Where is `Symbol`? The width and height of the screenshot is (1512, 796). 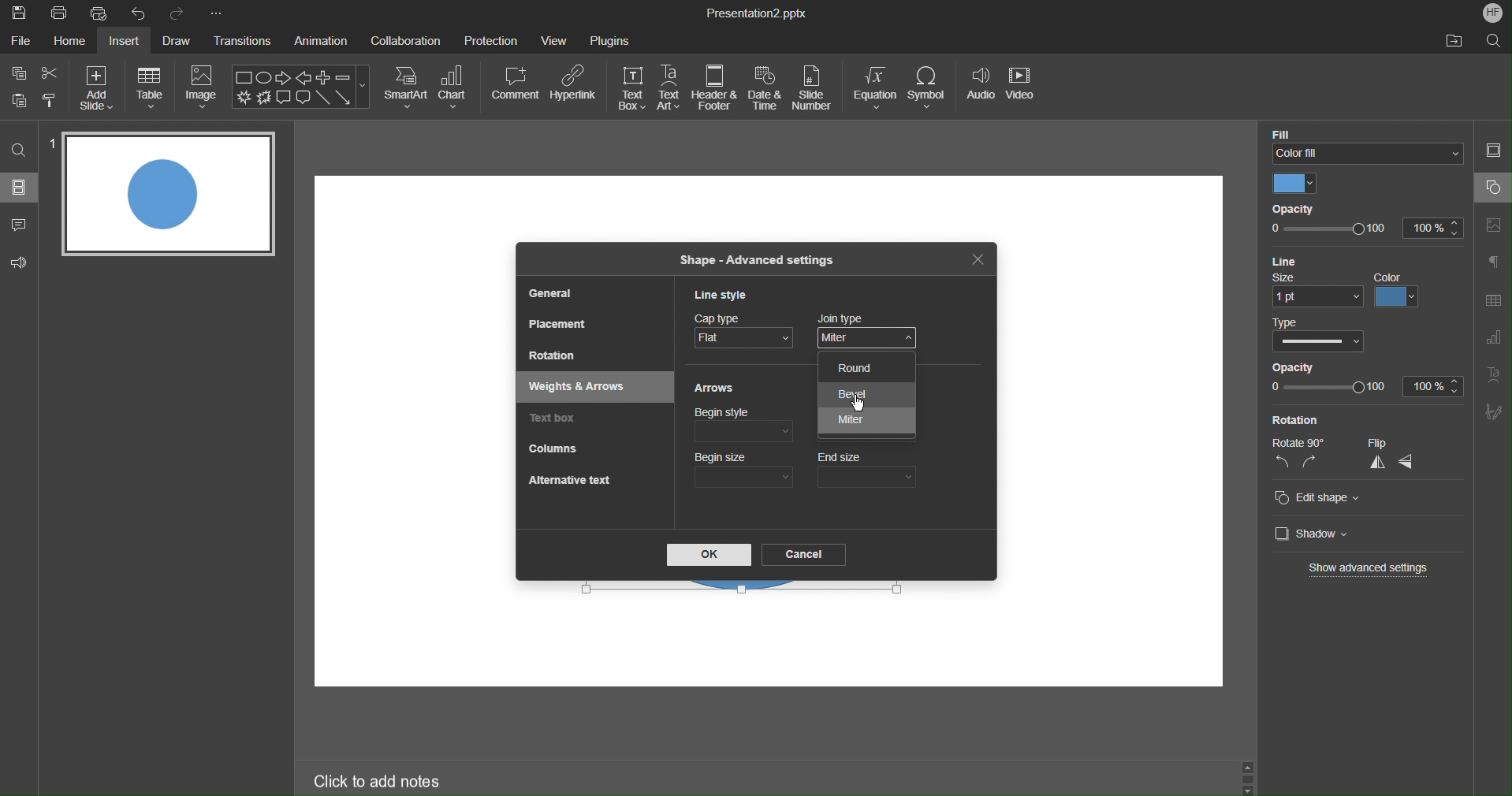
Symbol is located at coordinates (929, 88).